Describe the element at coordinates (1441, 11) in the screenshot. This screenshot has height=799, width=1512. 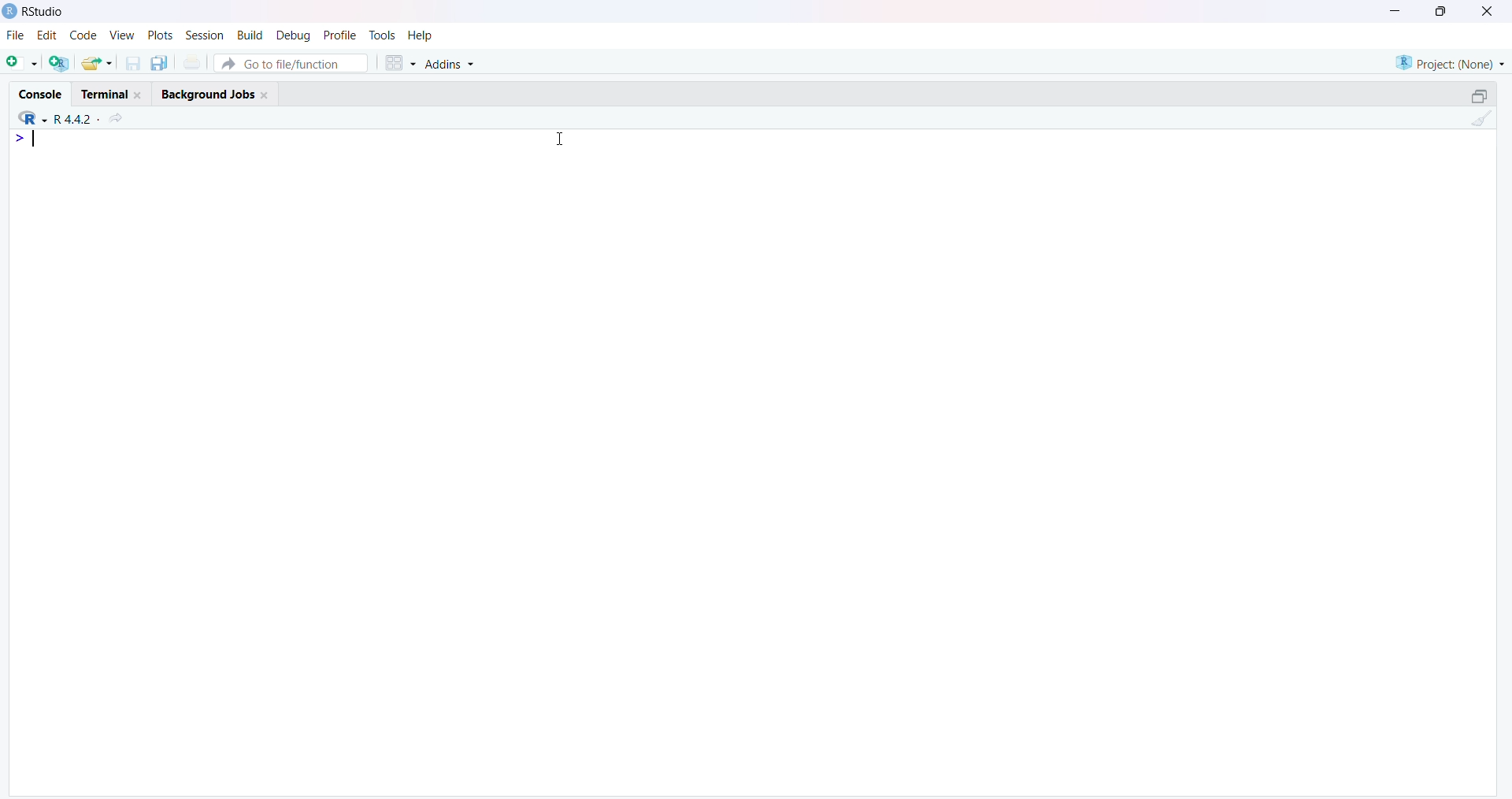
I see `Maximize` at that location.